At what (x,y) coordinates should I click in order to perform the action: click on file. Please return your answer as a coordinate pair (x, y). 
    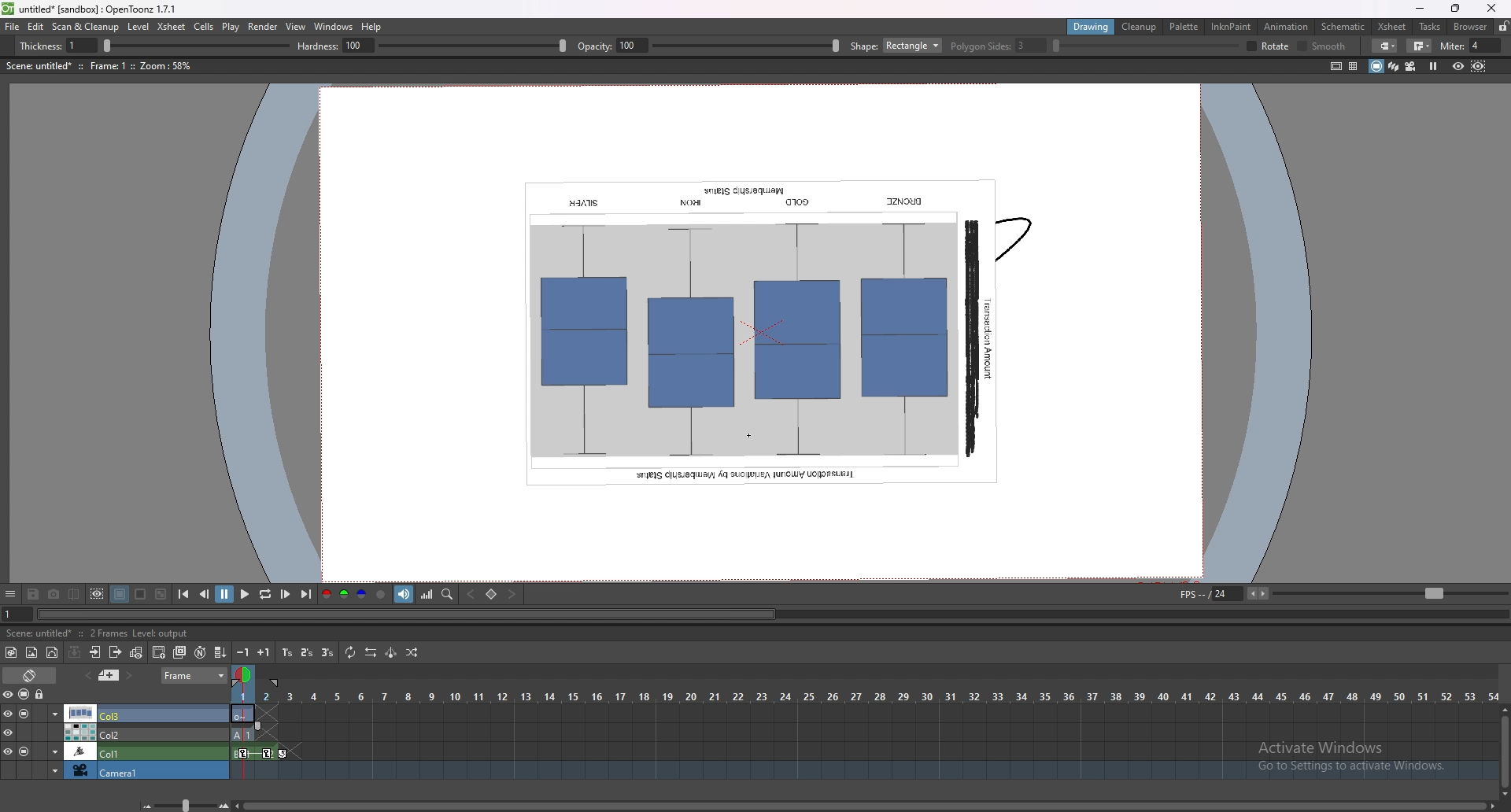
    Looking at the image, I should click on (13, 26).